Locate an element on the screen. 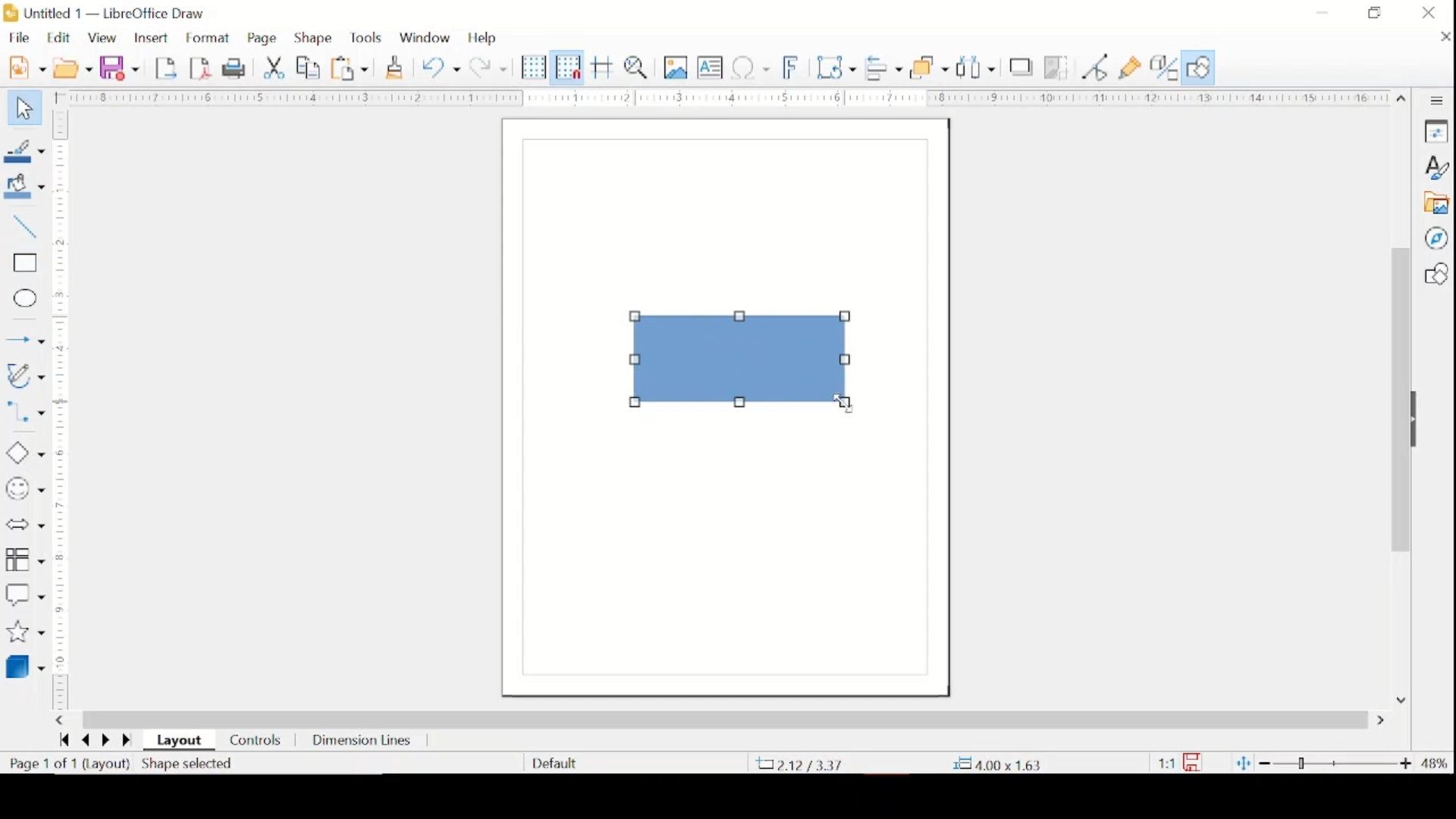 The height and width of the screenshot is (819, 1456). sidebar settings is located at coordinates (1437, 101).